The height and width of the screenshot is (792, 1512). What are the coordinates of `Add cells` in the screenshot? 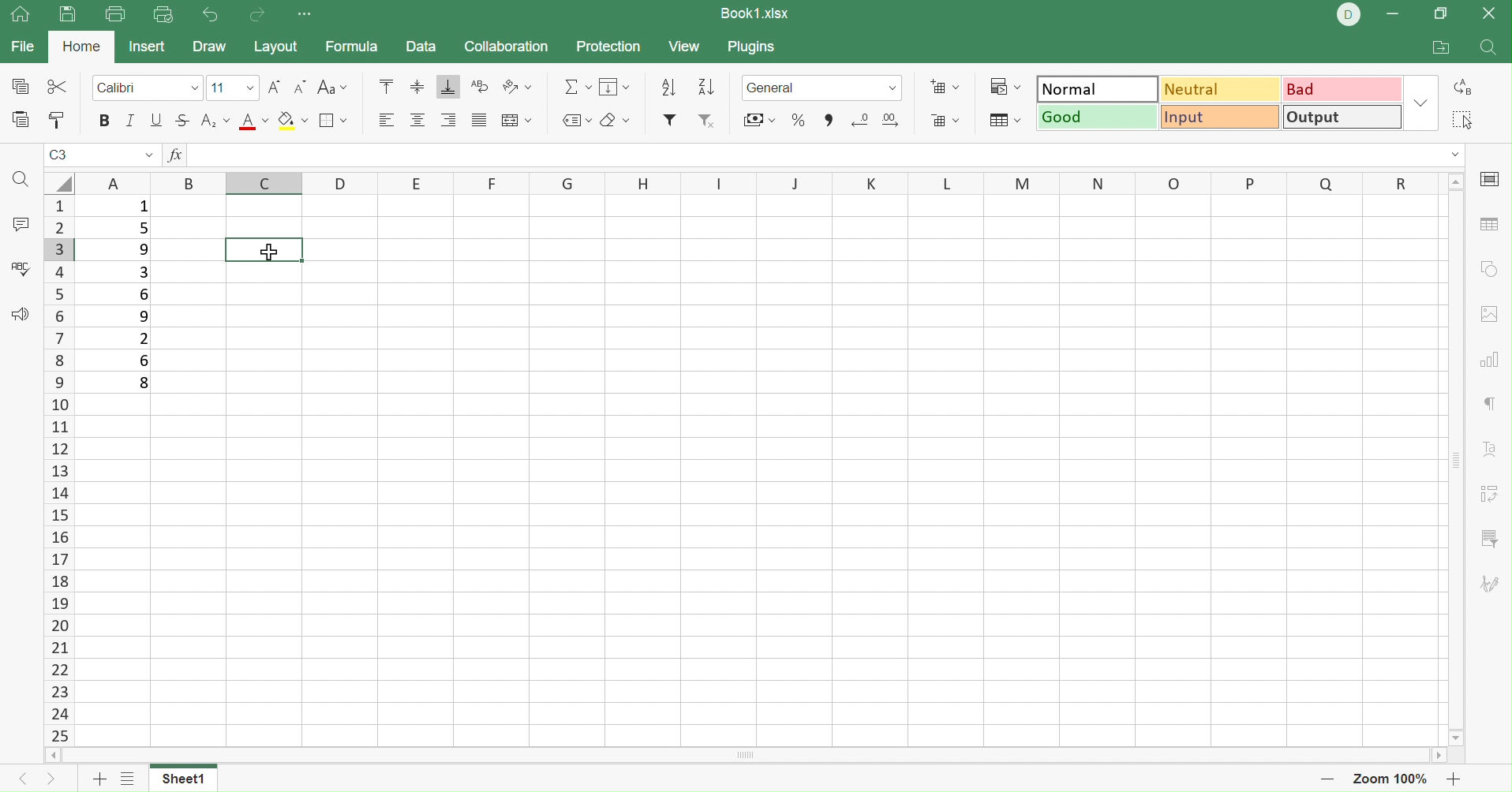 It's located at (943, 85).